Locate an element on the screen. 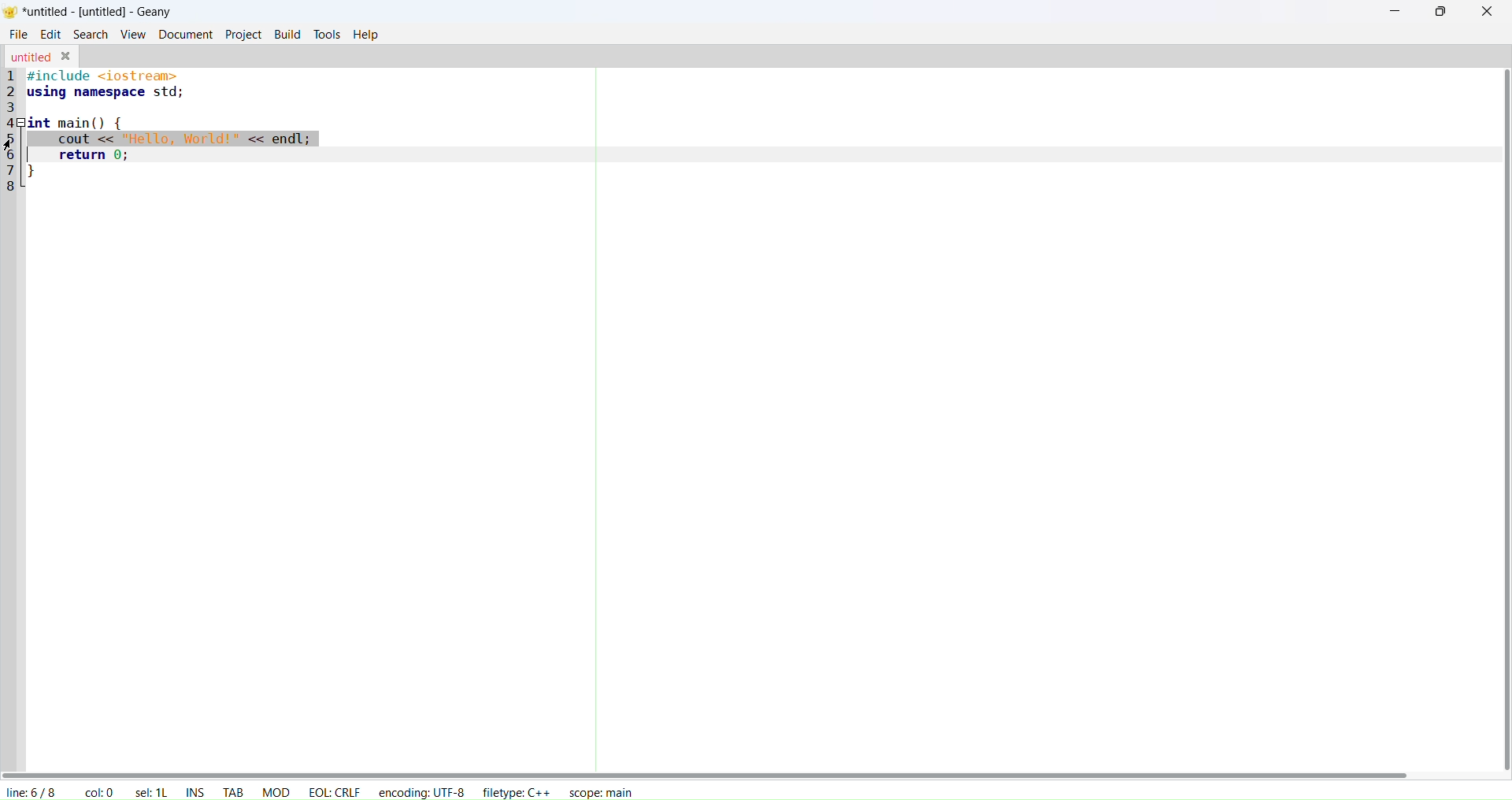  5      cout << "Hello, World!" << endl; is located at coordinates (165, 139).